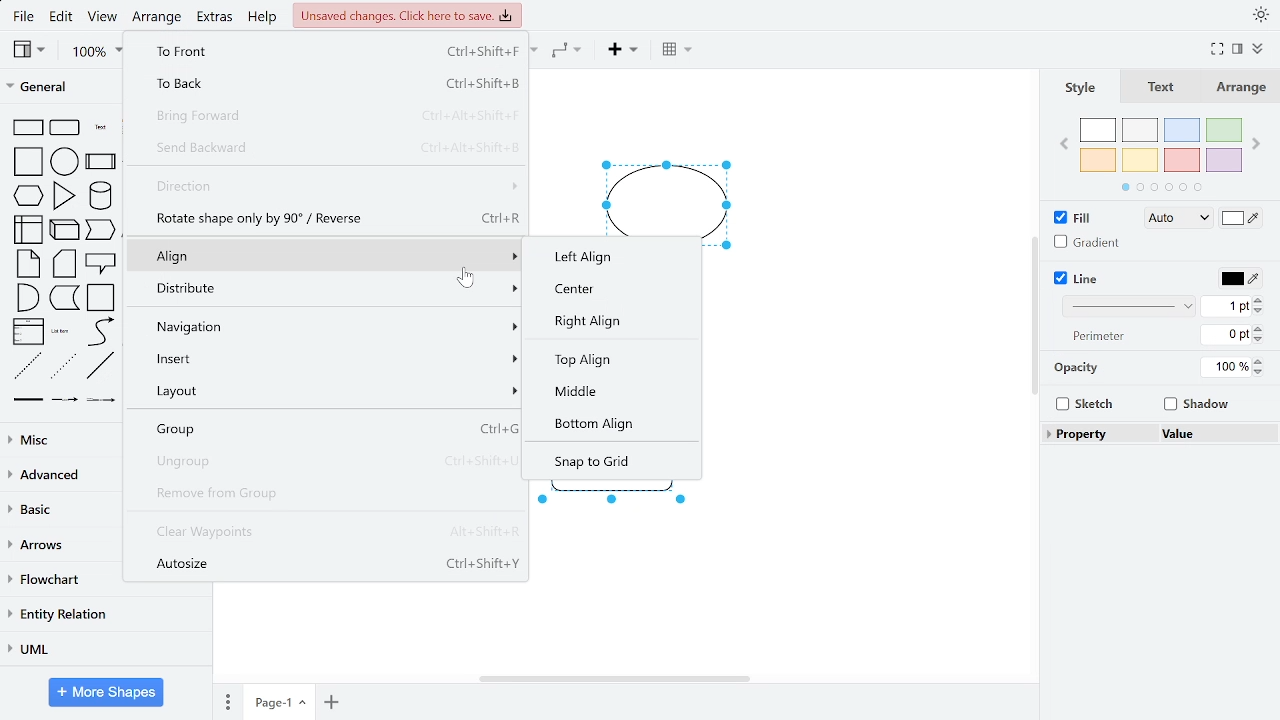 The width and height of the screenshot is (1280, 720). Describe the element at coordinates (65, 161) in the screenshot. I see `circle` at that location.